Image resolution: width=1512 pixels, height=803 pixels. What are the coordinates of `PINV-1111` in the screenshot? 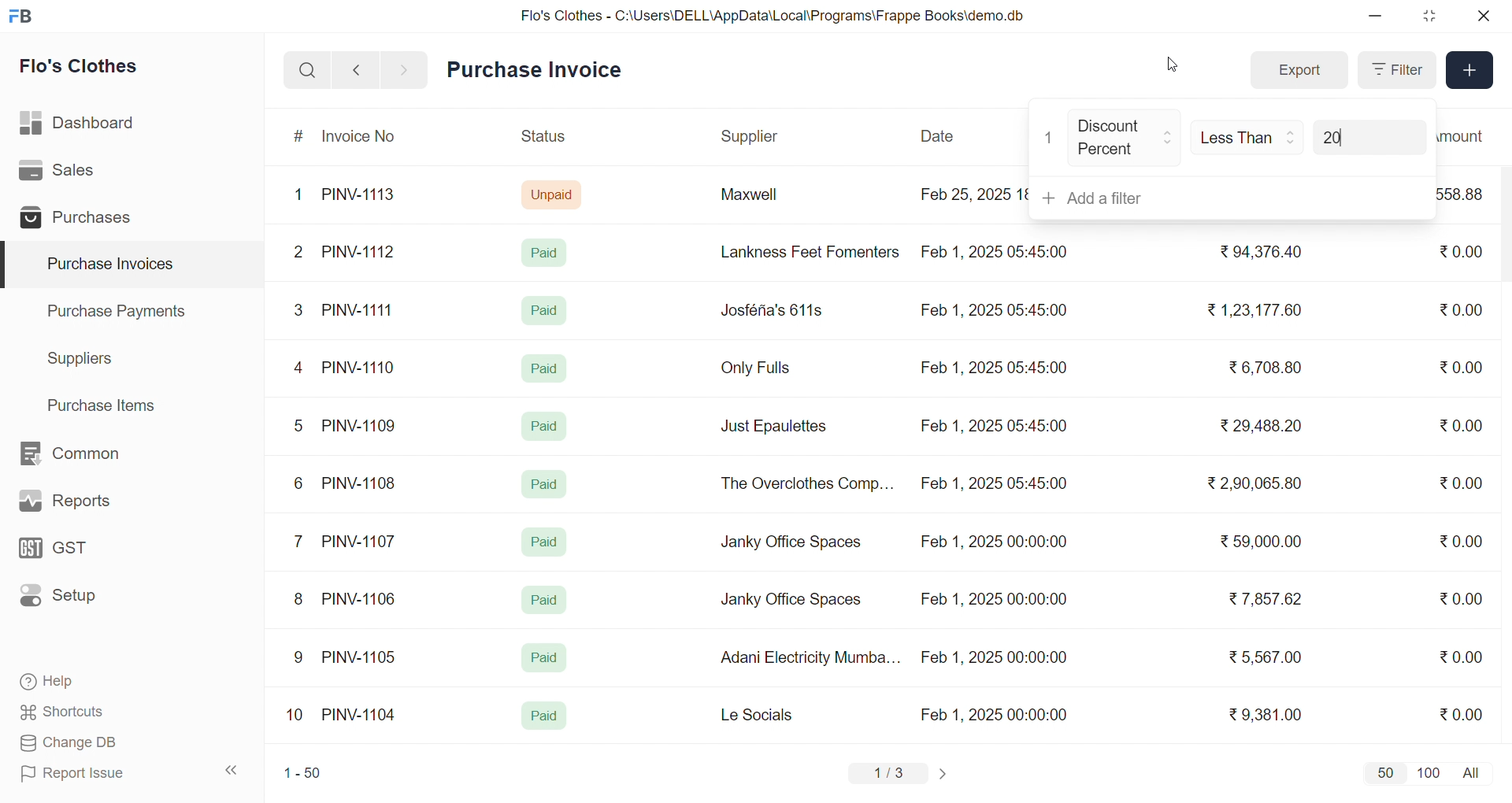 It's located at (359, 309).